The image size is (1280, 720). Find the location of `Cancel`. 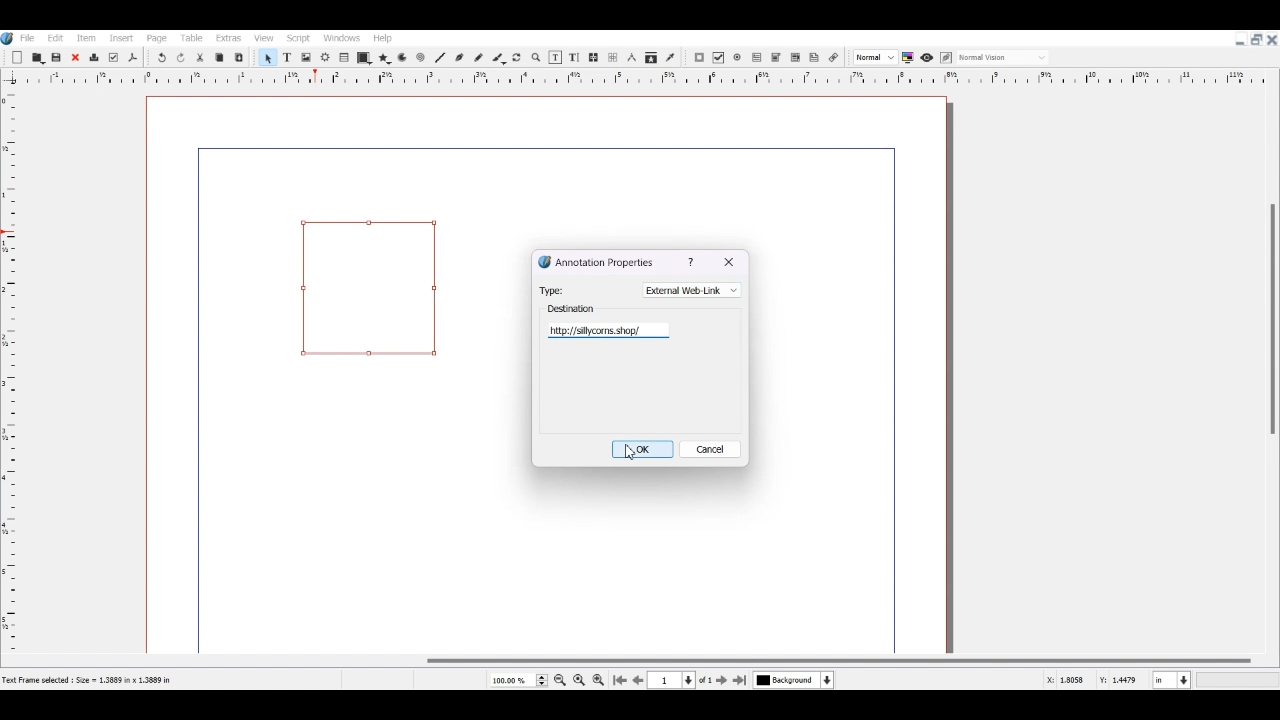

Cancel is located at coordinates (712, 449).